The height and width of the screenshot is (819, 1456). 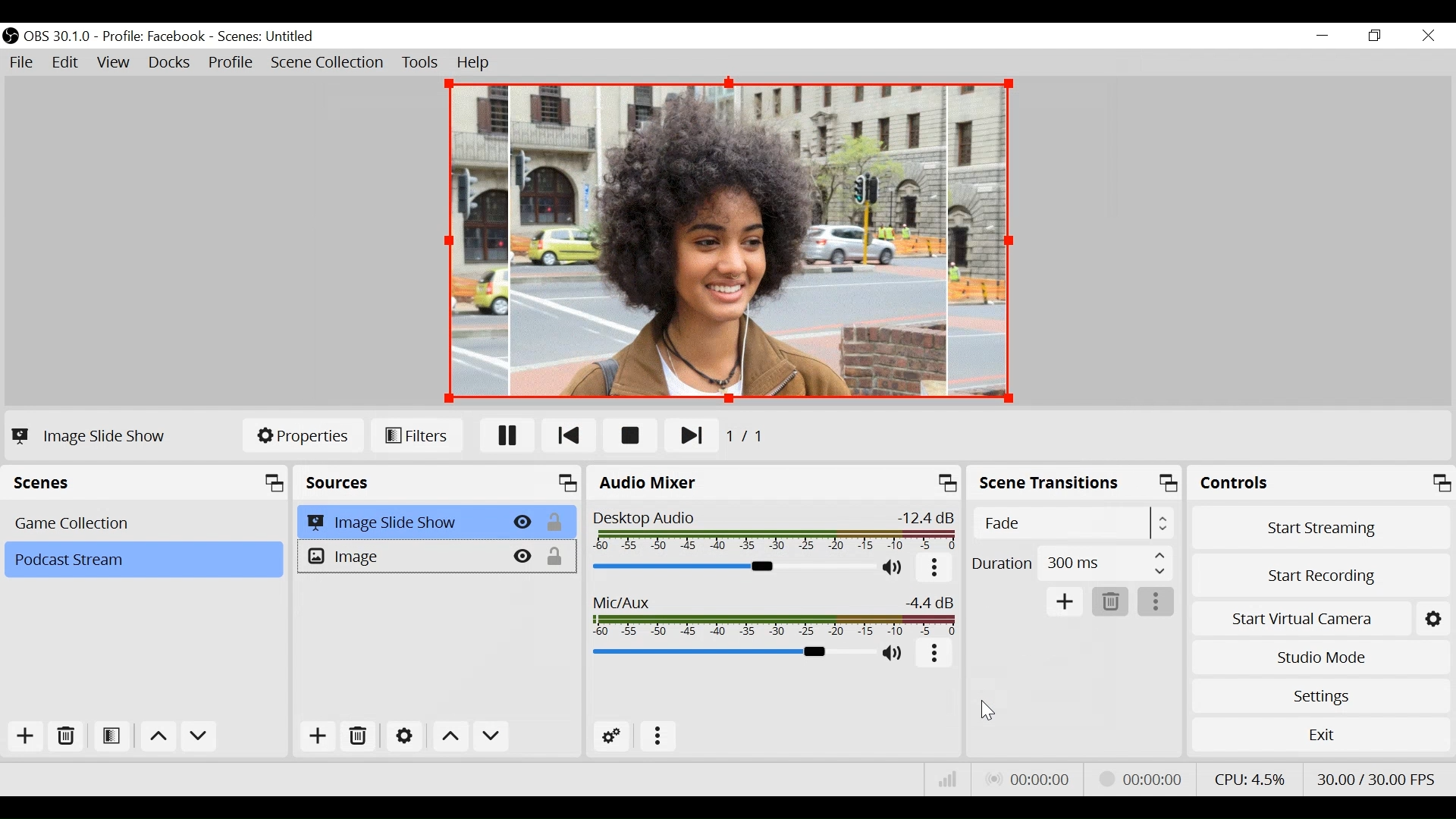 I want to click on Scene Transition, so click(x=1076, y=485).